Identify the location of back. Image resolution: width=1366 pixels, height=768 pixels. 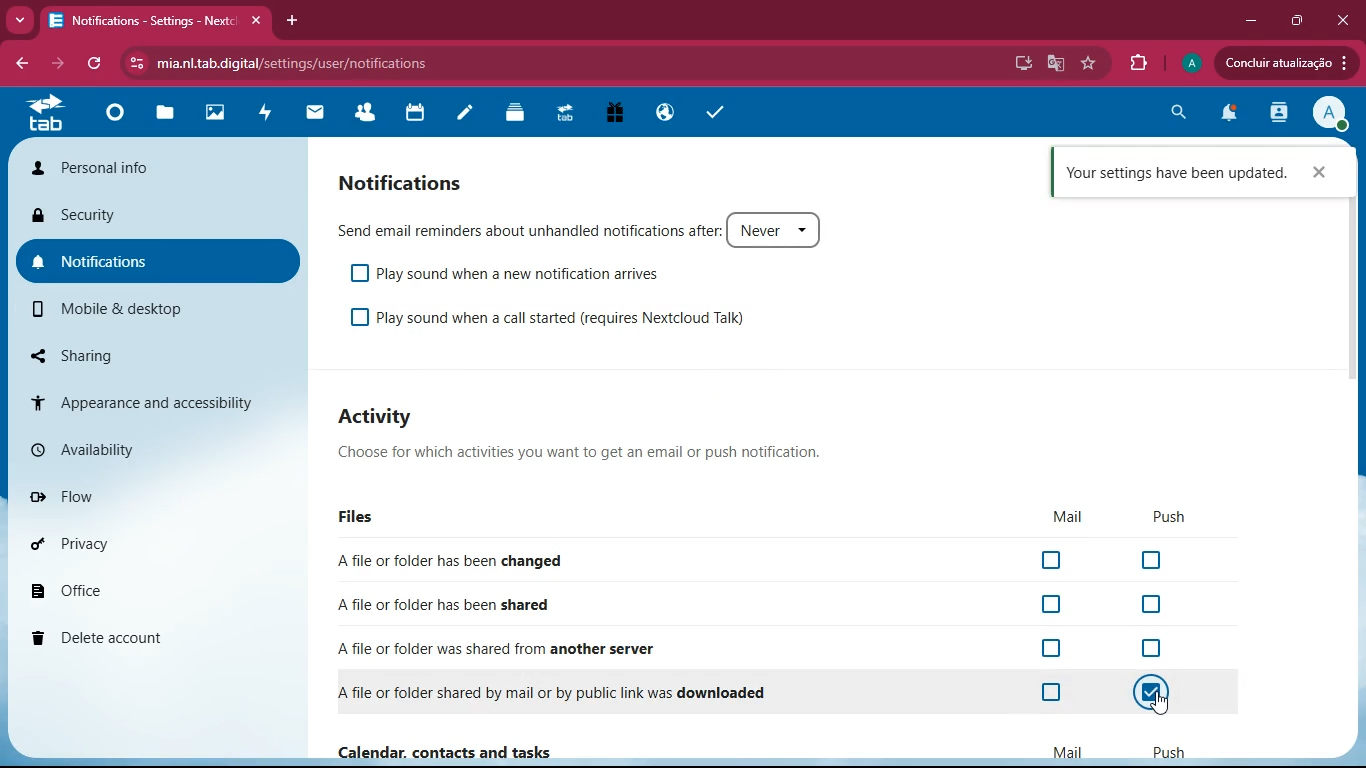
(19, 63).